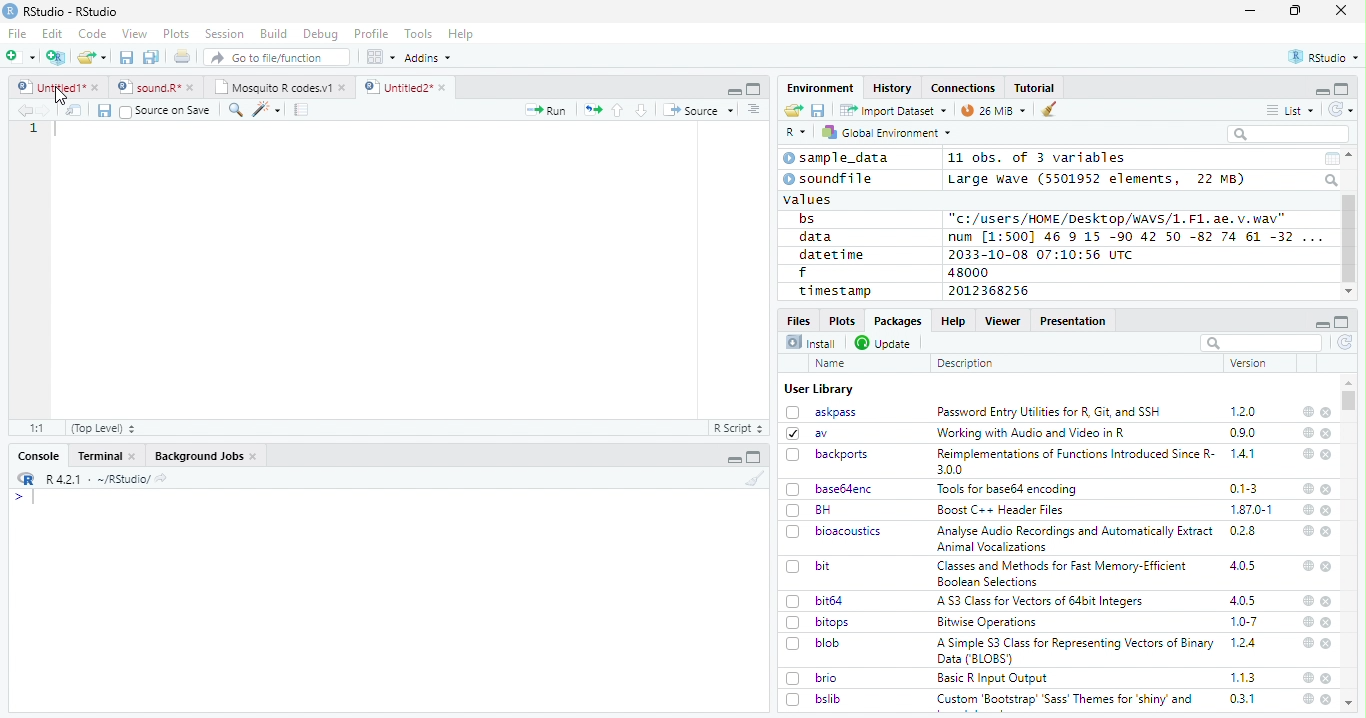 The width and height of the screenshot is (1366, 718). Describe the element at coordinates (152, 58) in the screenshot. I see `Save all the open documents` at that location.